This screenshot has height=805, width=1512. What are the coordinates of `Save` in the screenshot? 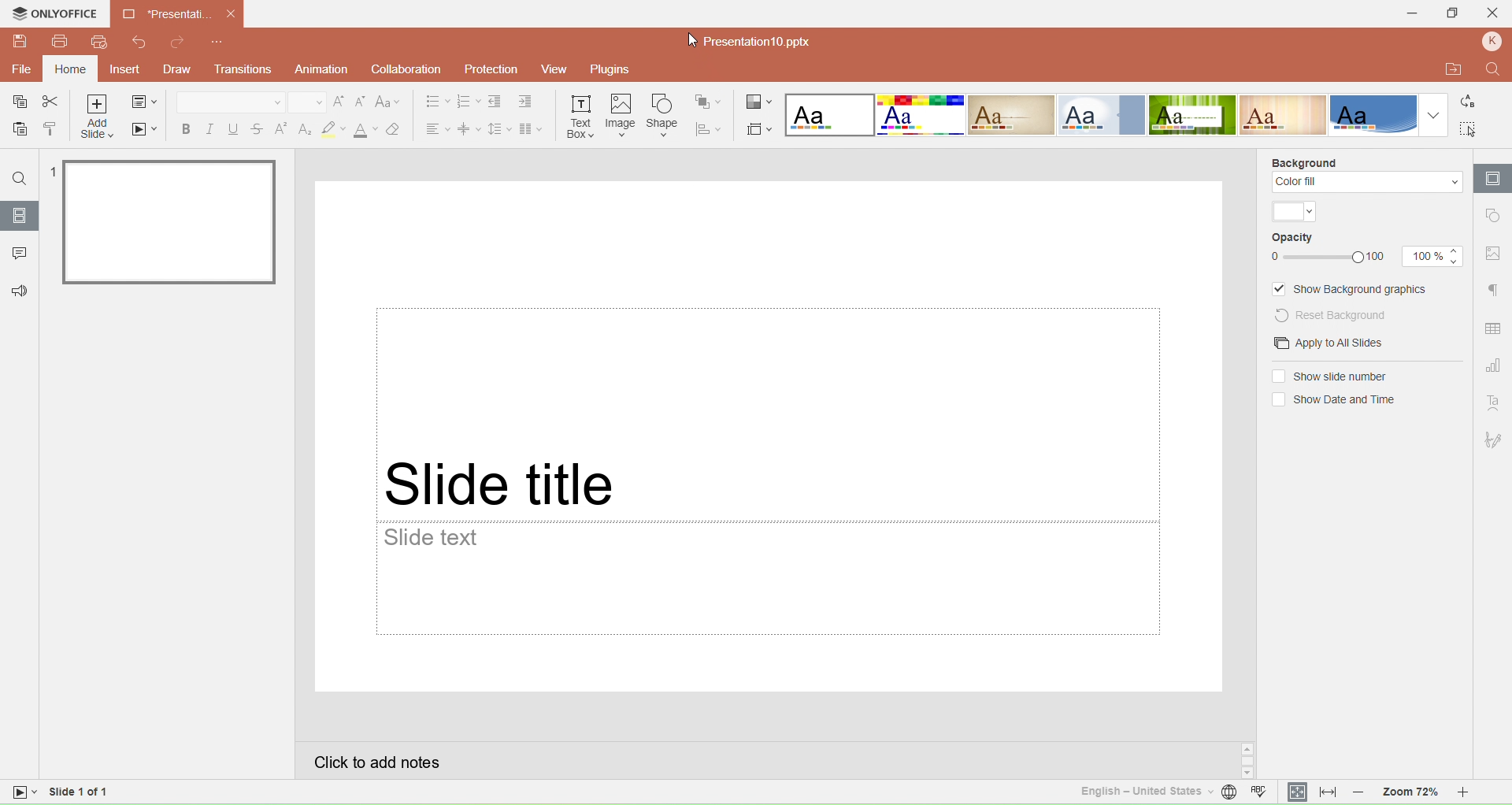 It's located at (20, 43).